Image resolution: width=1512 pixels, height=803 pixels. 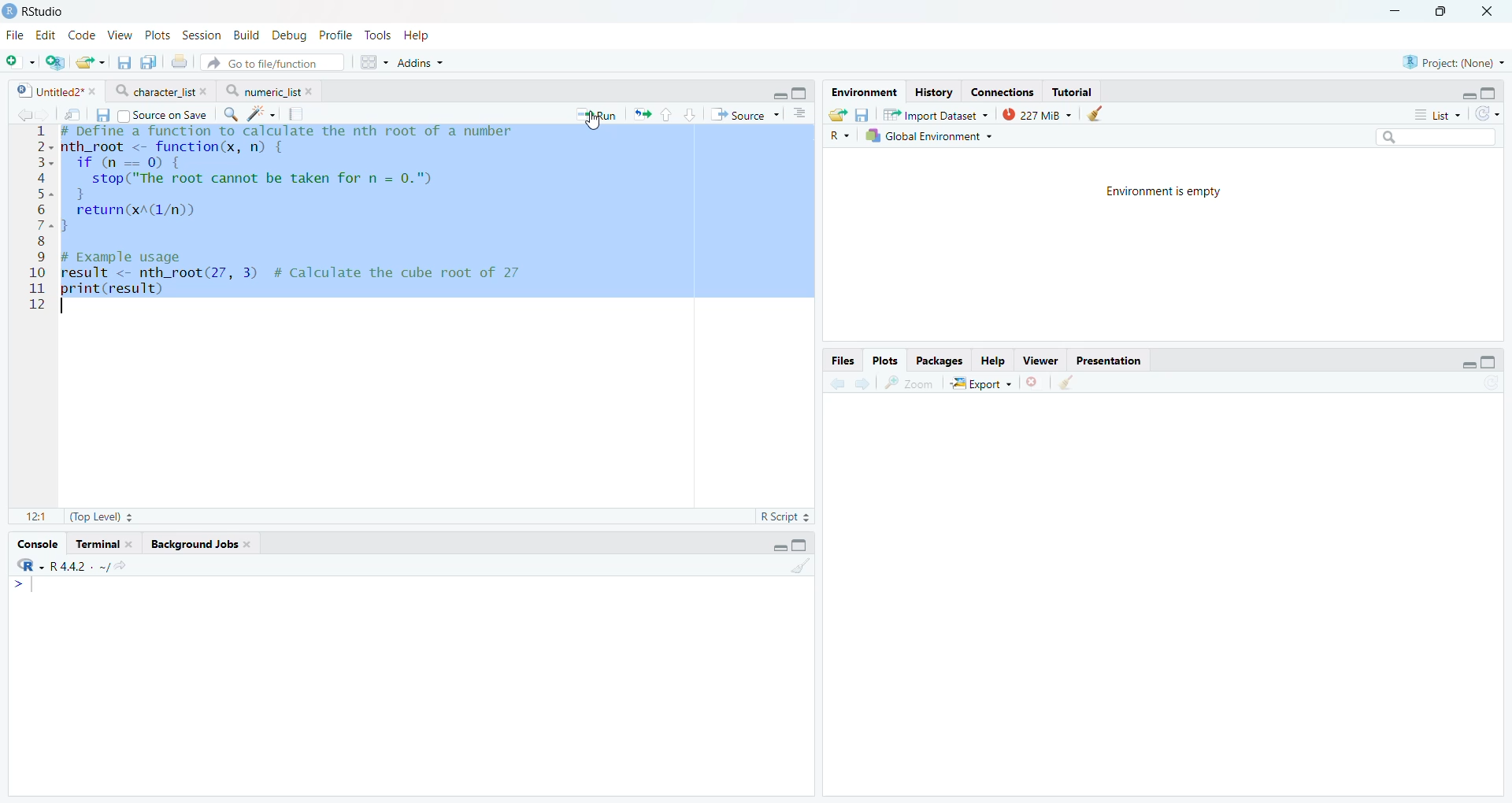 What do you see at coordinates (863, 92) in the screenshot?
I see `Environment` at bounding box center [863, 92].